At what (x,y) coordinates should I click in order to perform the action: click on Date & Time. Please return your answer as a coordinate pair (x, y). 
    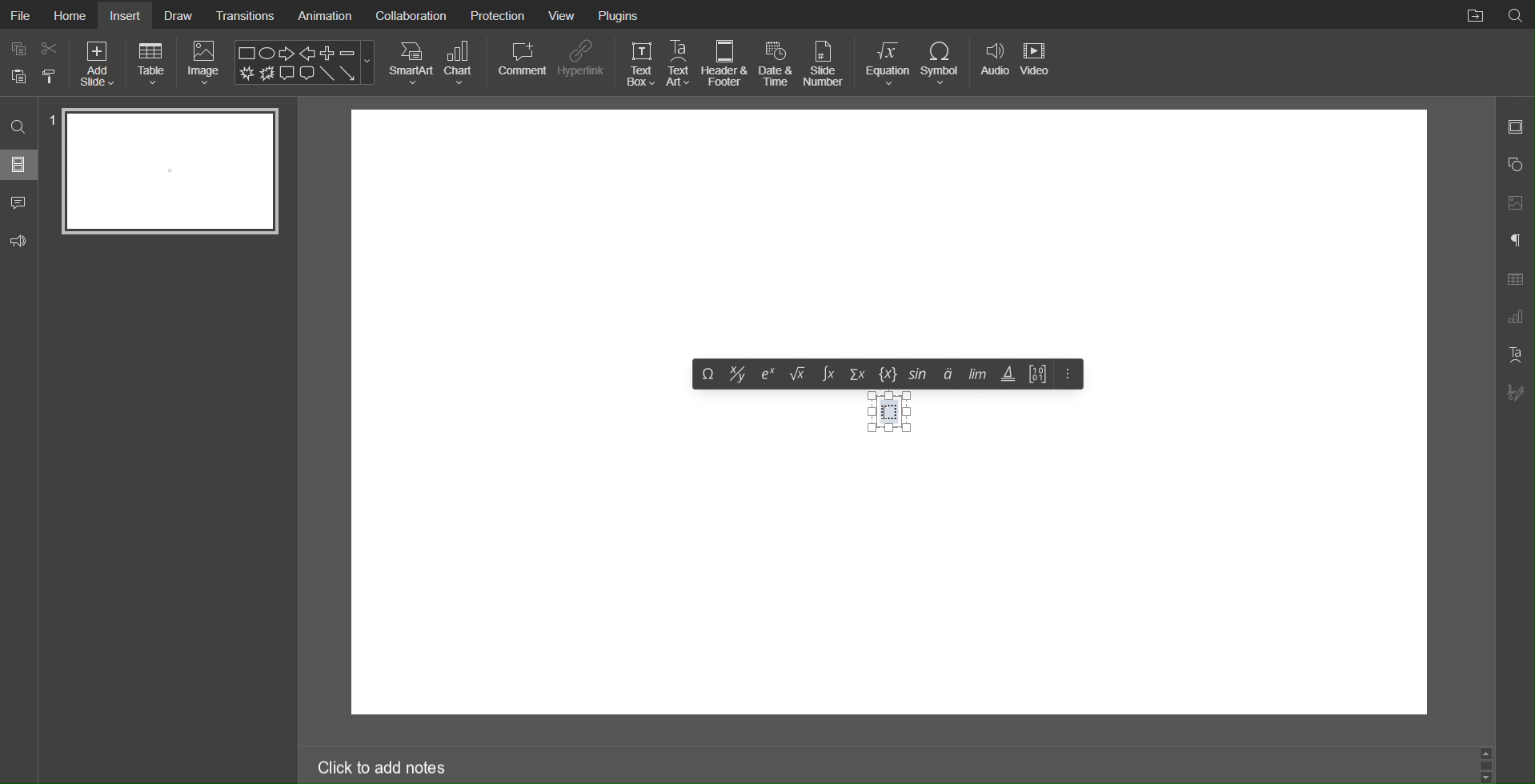
    Looking at the image, I should click on (778, 62).